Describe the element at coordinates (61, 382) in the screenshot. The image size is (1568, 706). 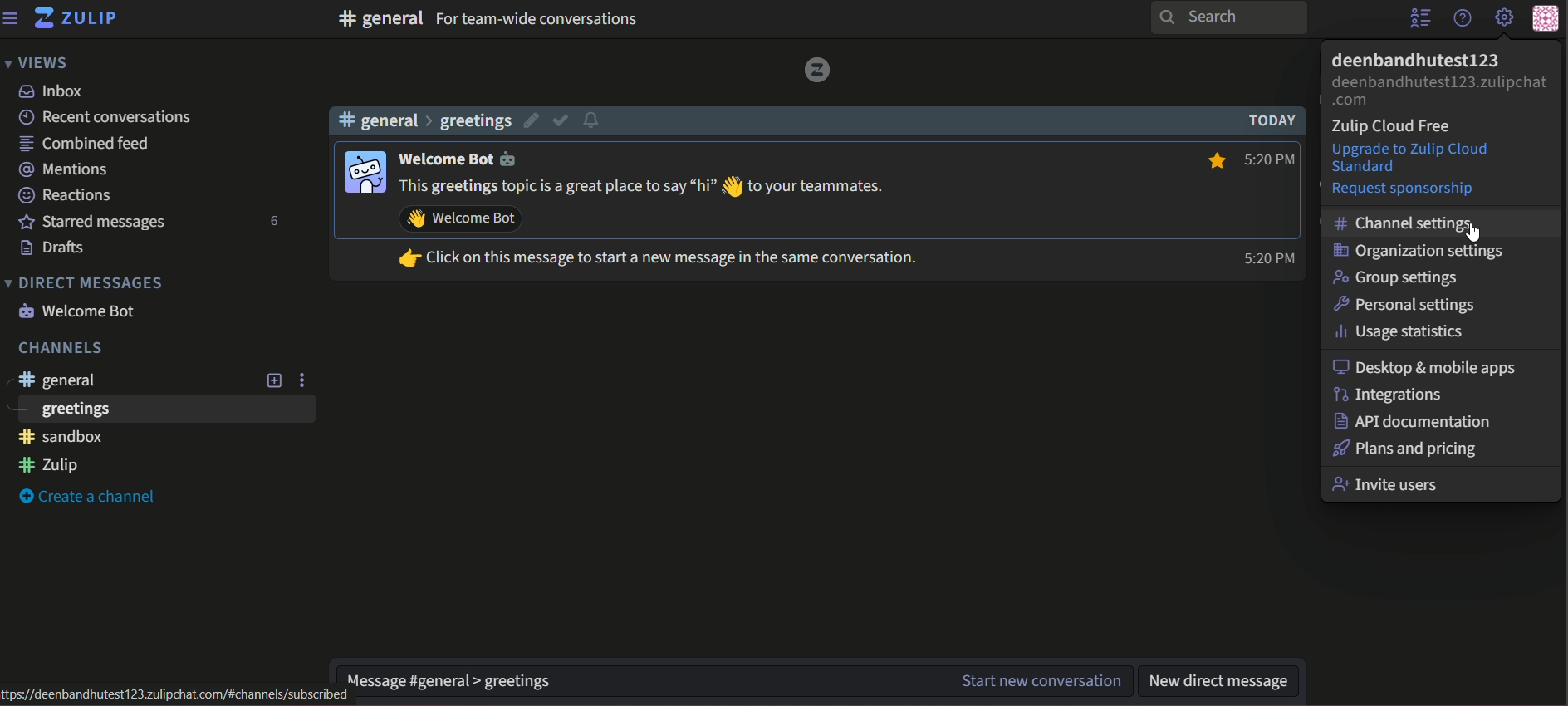
I see `general` at that location.